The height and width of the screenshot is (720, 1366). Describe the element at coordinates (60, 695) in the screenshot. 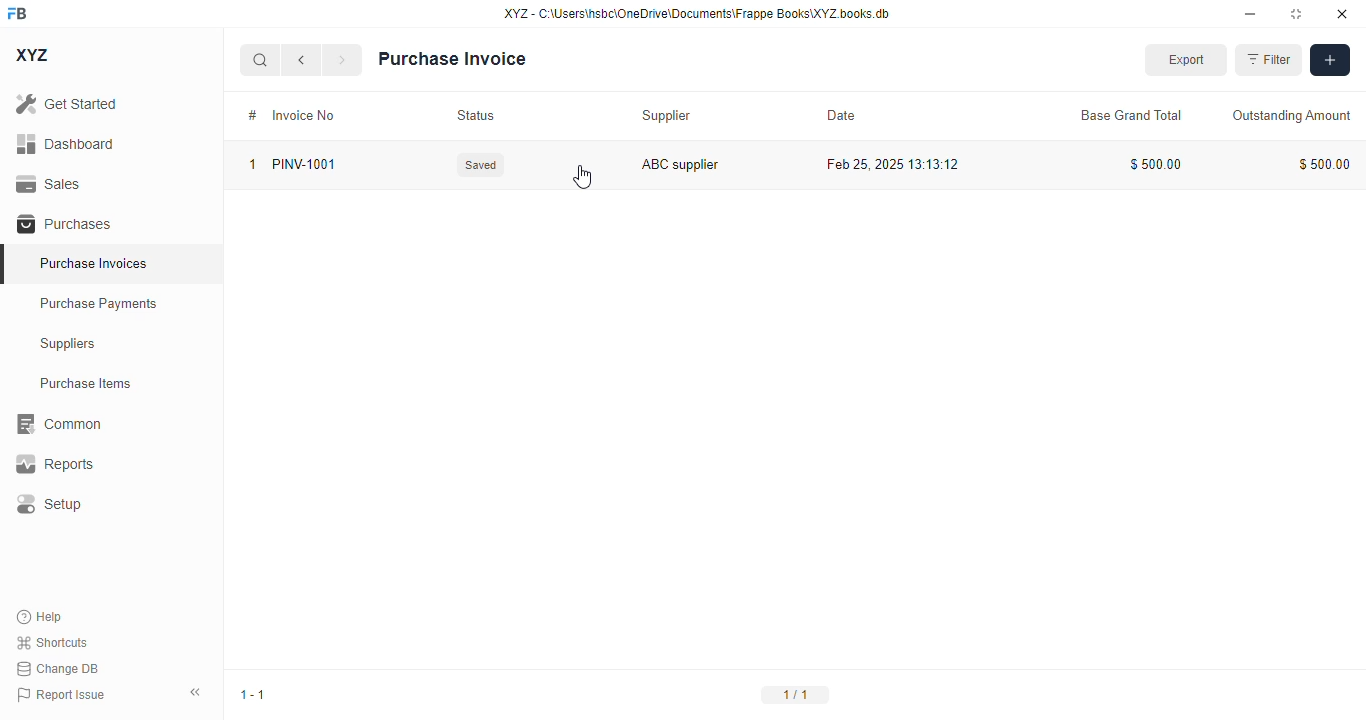

I see `report issue` at that location.